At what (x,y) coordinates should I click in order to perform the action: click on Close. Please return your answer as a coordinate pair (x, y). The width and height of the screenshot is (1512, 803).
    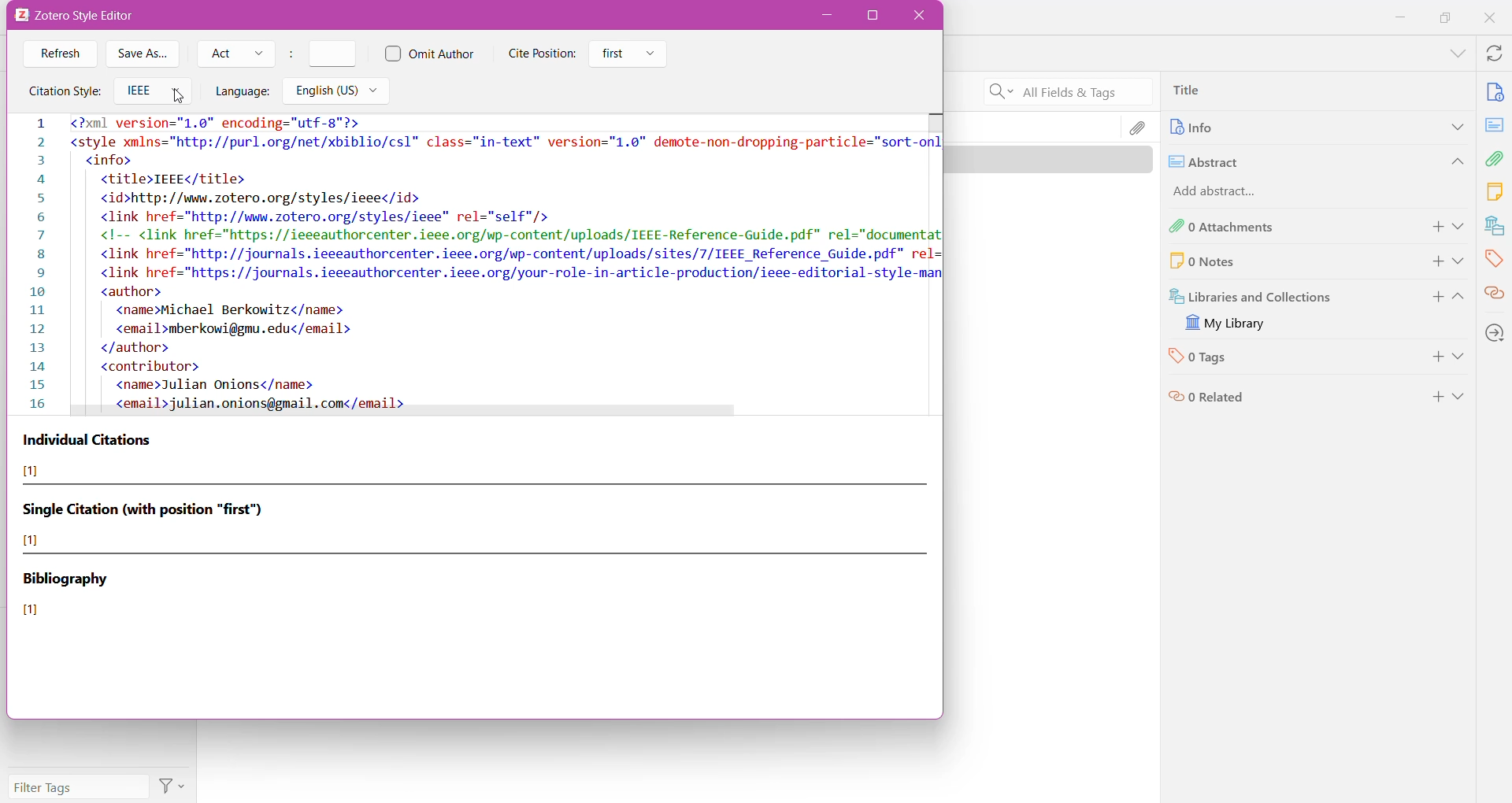
    Looking at the image, I should click on (918, 16).